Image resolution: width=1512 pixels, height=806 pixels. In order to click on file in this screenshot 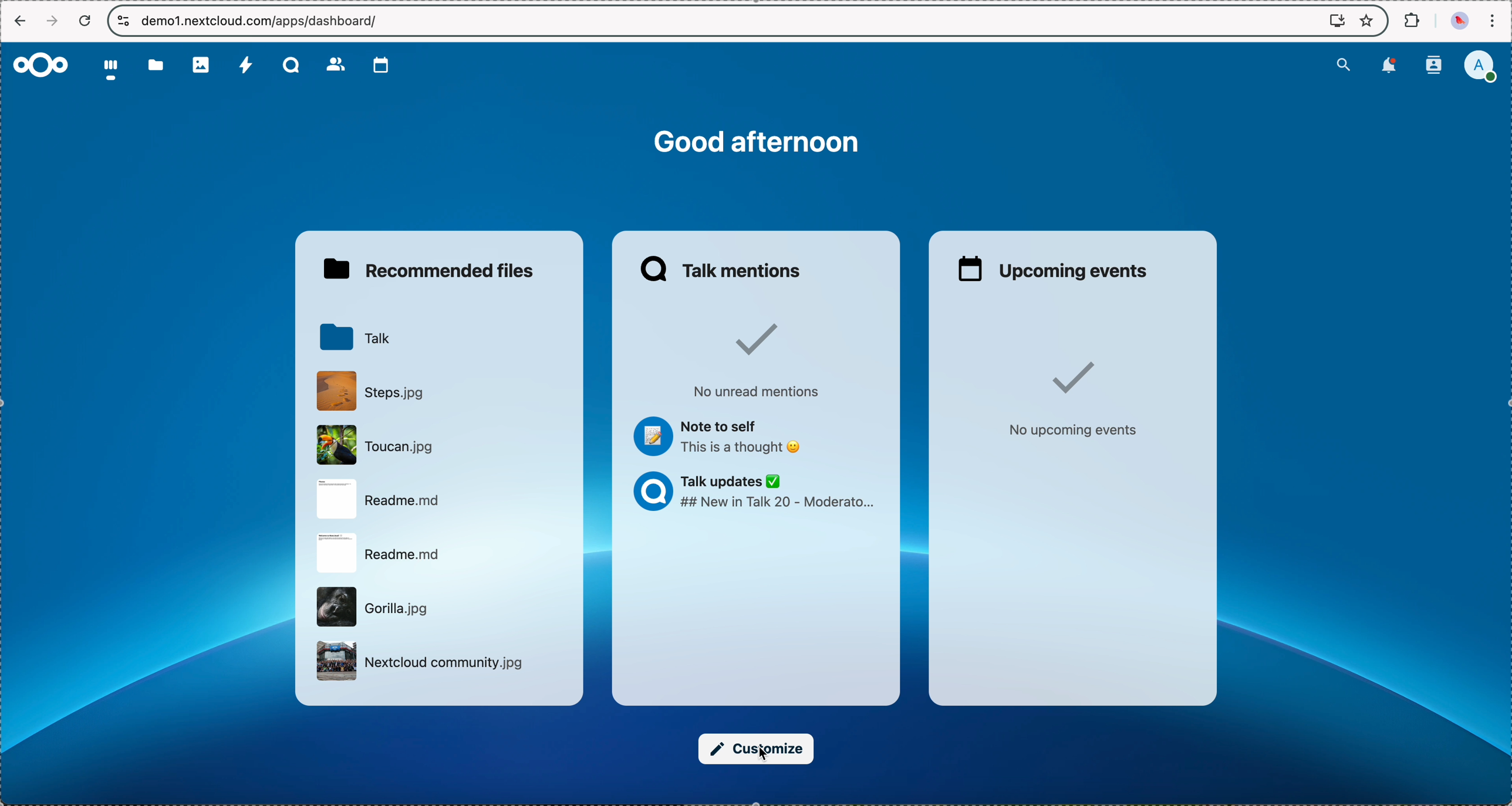, I will do `click(377, 607)`.